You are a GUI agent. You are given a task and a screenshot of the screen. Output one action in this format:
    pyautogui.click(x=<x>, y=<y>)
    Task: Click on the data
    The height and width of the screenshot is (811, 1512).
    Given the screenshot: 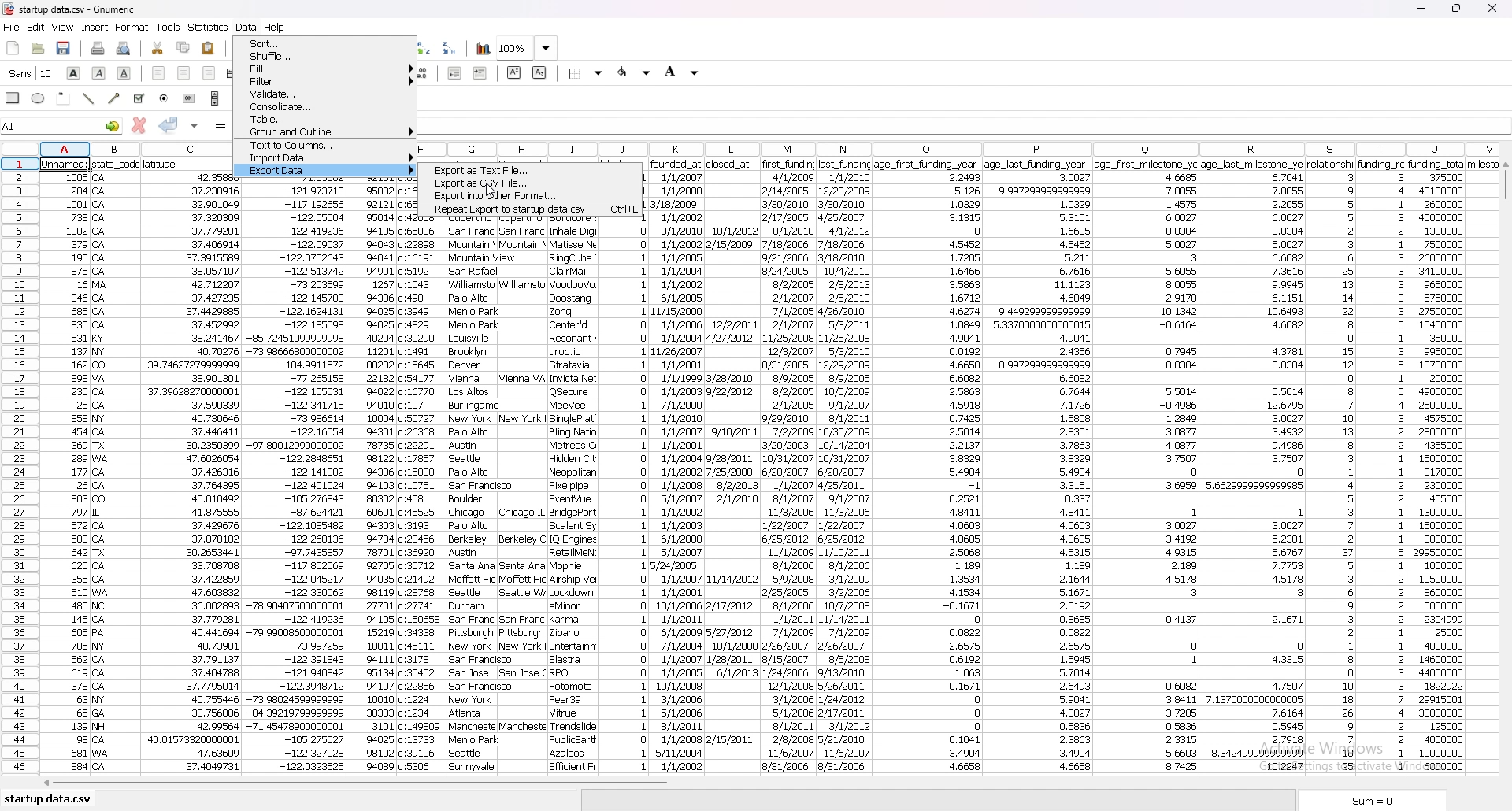 What is the action you would take?
    pyautogui.click(x=679, y=465)
    